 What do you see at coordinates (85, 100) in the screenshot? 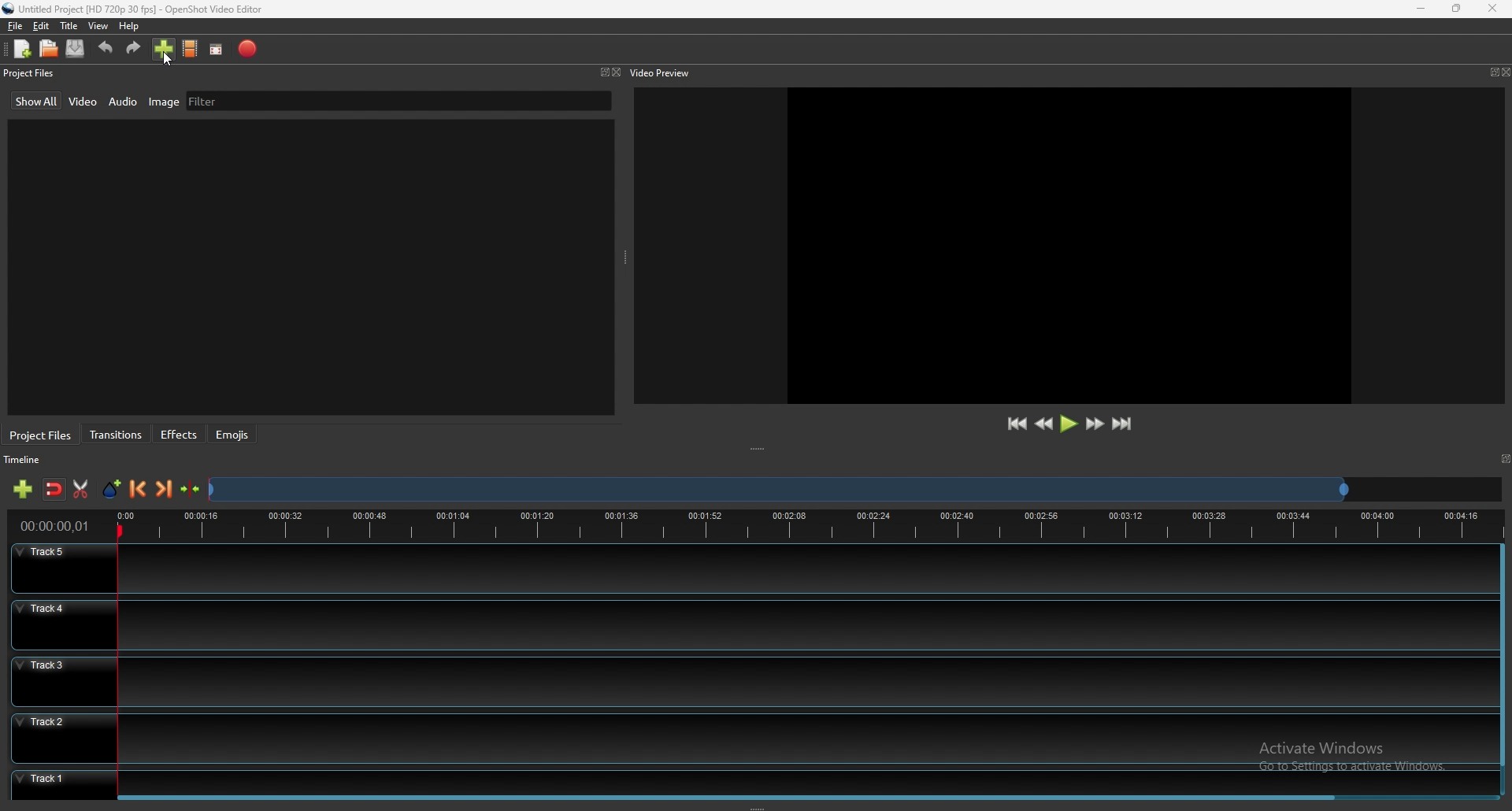
I see `video` at bounding box center [85, 100].